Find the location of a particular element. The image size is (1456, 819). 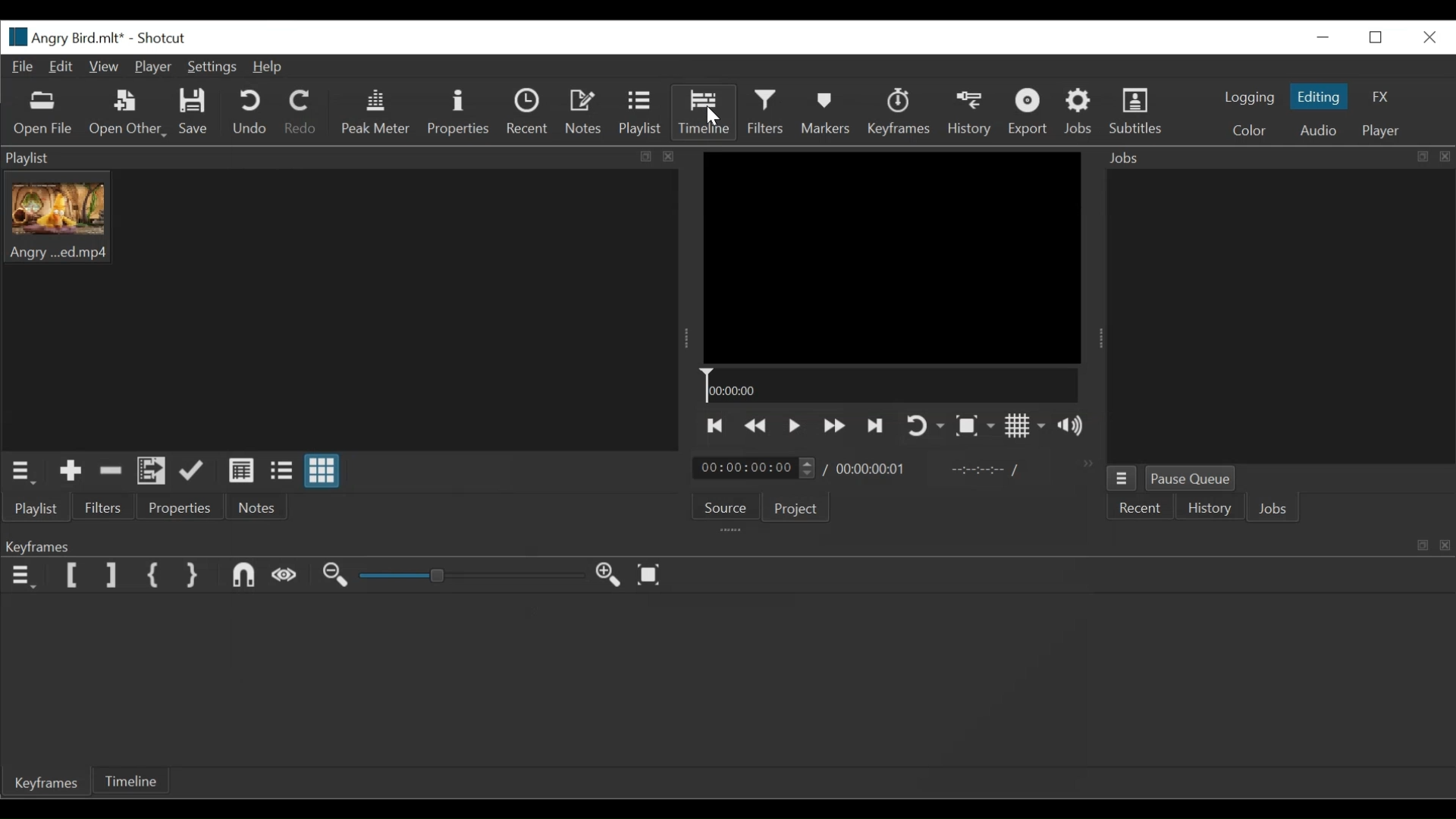

Source is located at coordinates (726, 507).